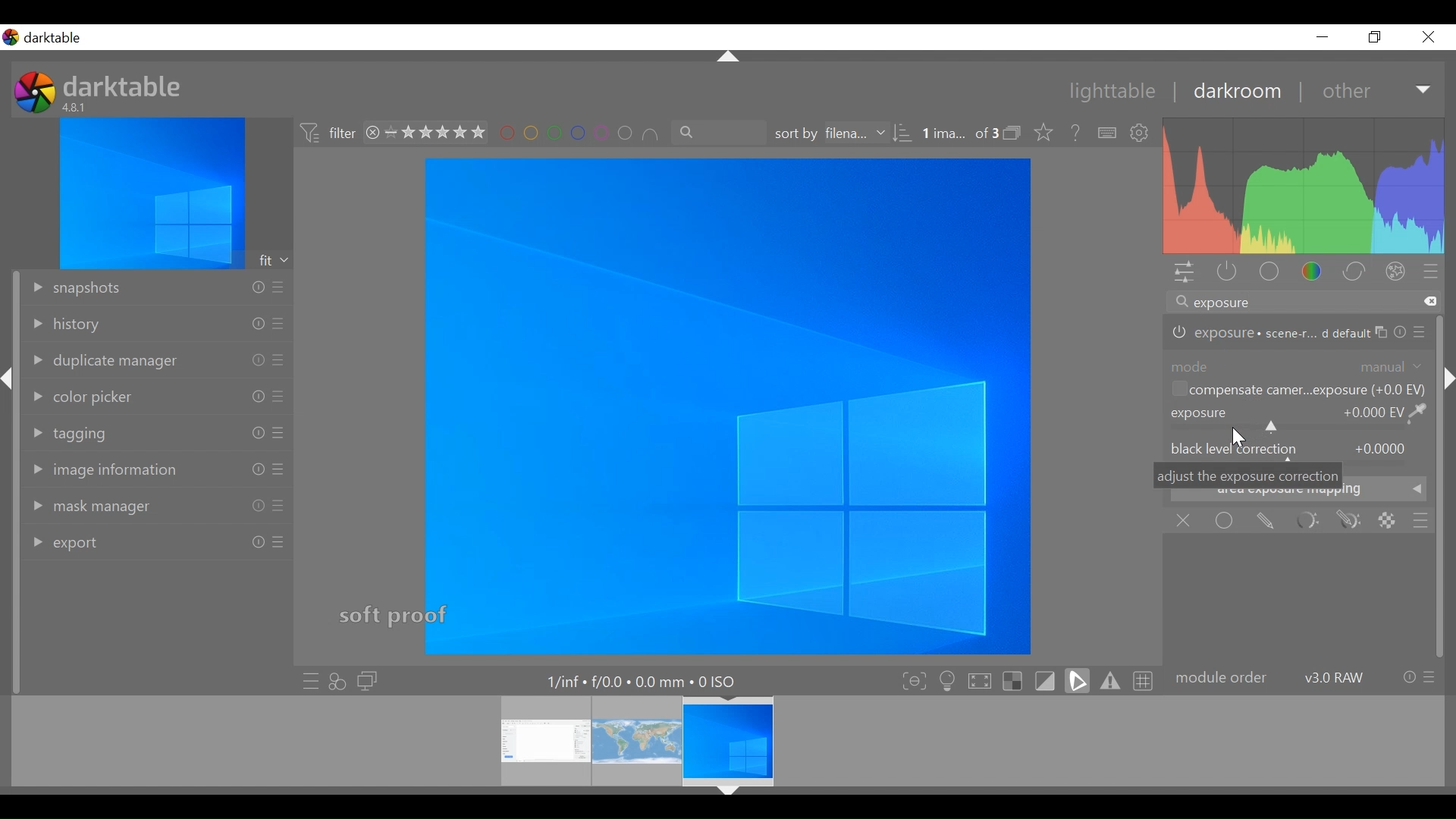 This screenshot has width=1456, height=819. What do you see at coordinates (258, 506) in the screenshot?
I see `info` at bounding box center [258, 506].